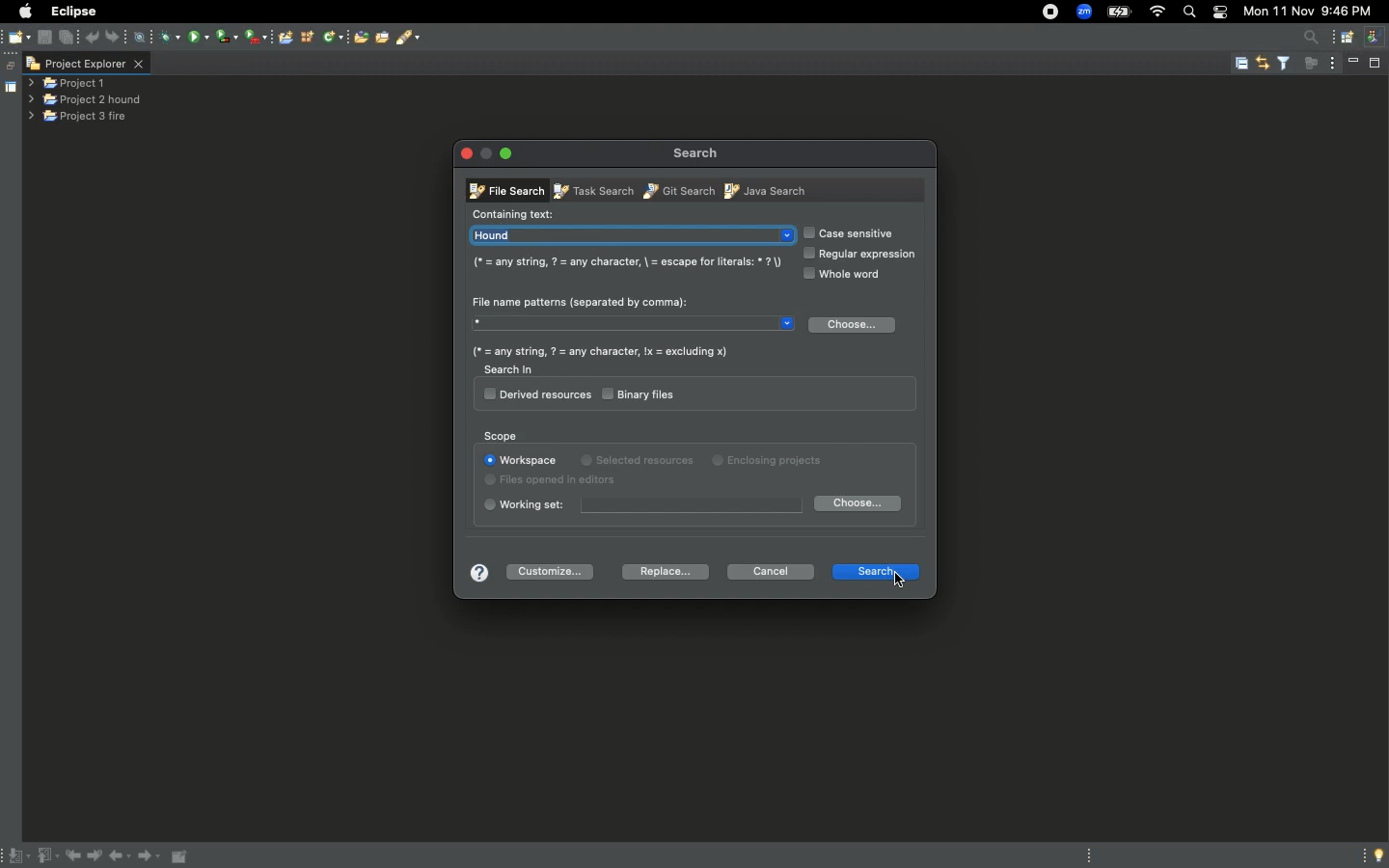  What do you see at coordinates (72, 11) in the screenshot?
I see `Eclipse` at bounding box center [72, 11].